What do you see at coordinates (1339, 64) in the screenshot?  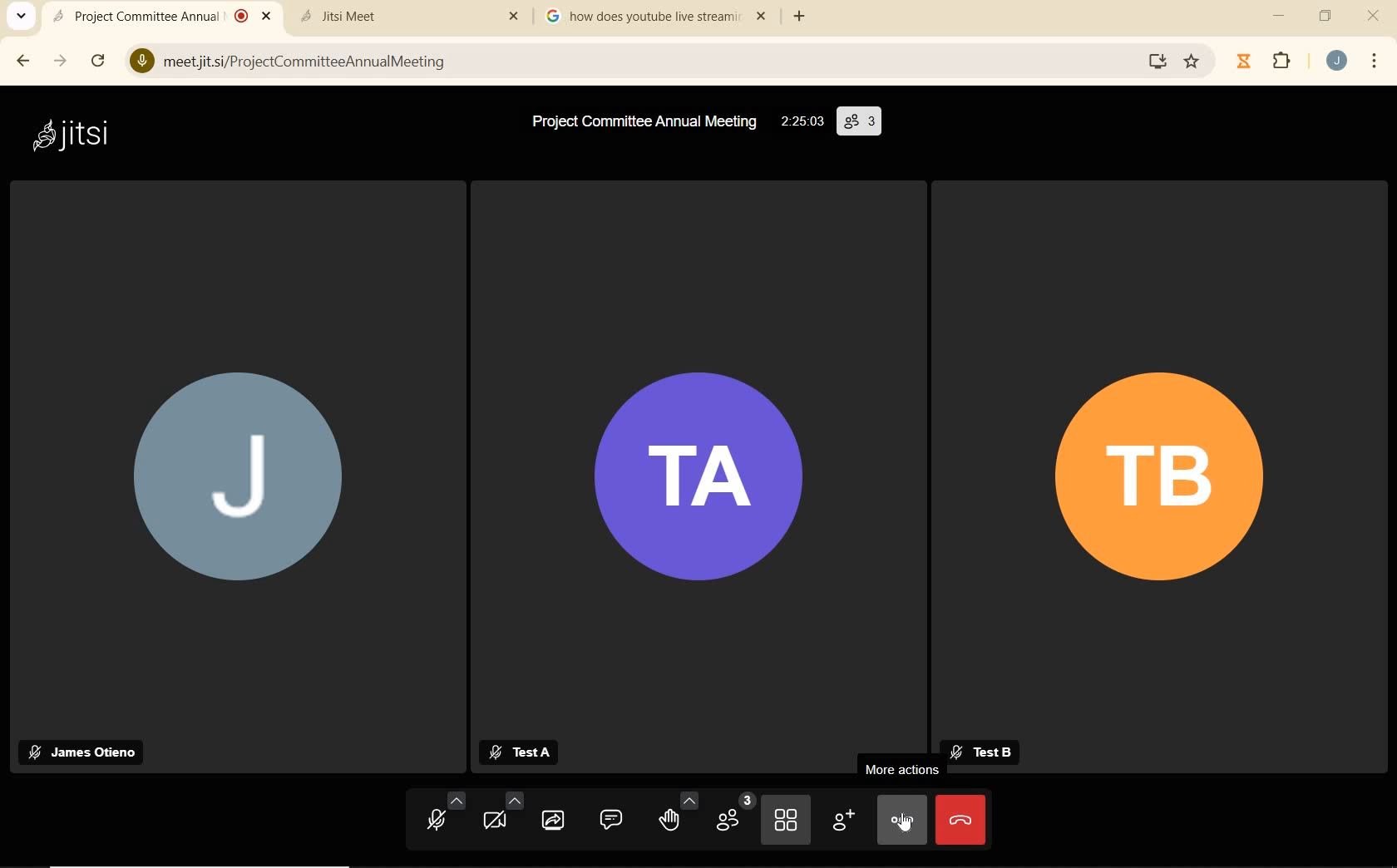 I see `account` at bounding box center [1339, 64].